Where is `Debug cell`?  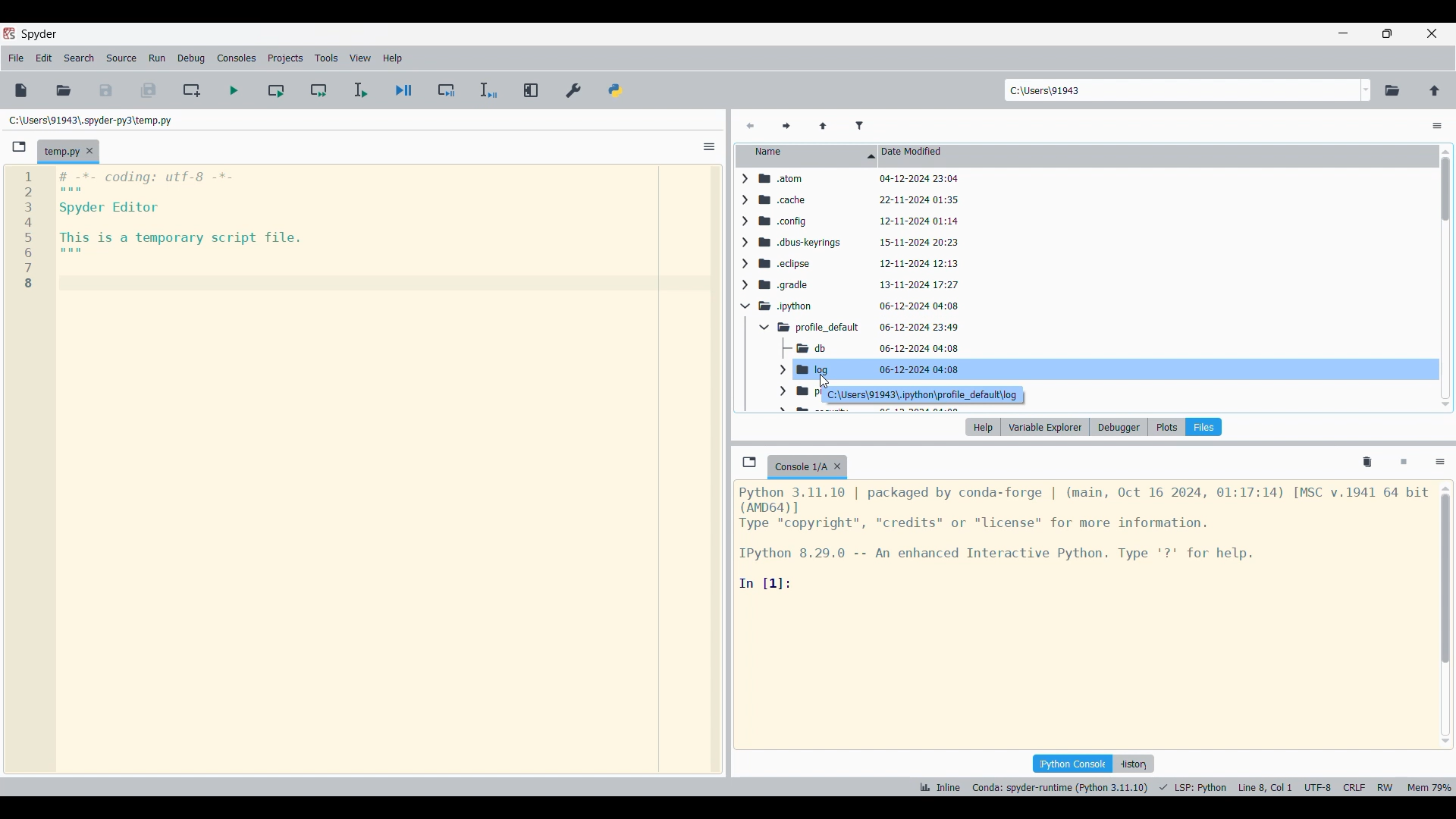 Debug cell is located at coordinates (447, 89).